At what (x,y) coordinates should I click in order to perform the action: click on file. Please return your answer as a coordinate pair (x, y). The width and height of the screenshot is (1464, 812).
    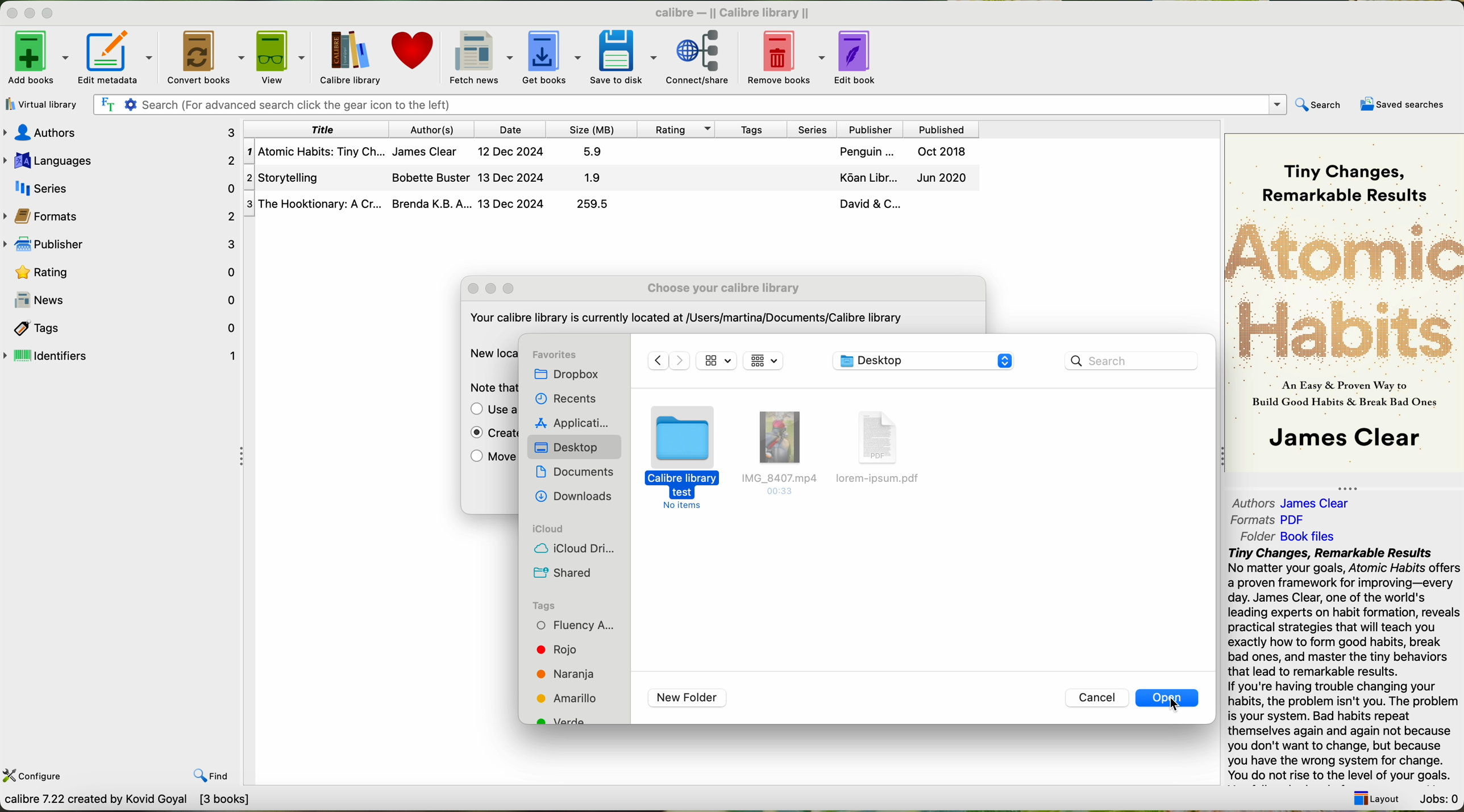
    Looking at the image, I should click on (777, 454).